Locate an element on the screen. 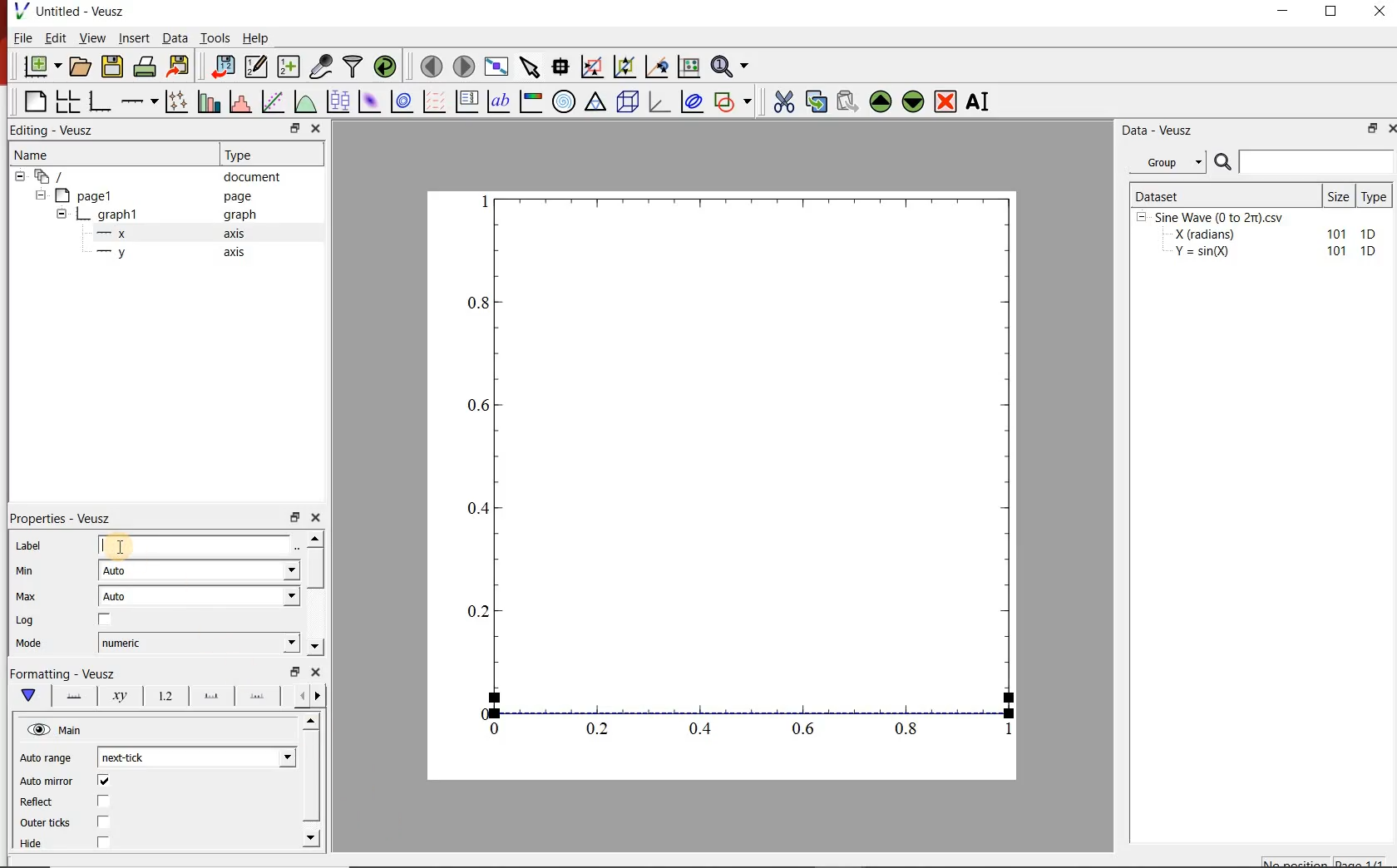  Blank page is located at coordinates (35, 101).